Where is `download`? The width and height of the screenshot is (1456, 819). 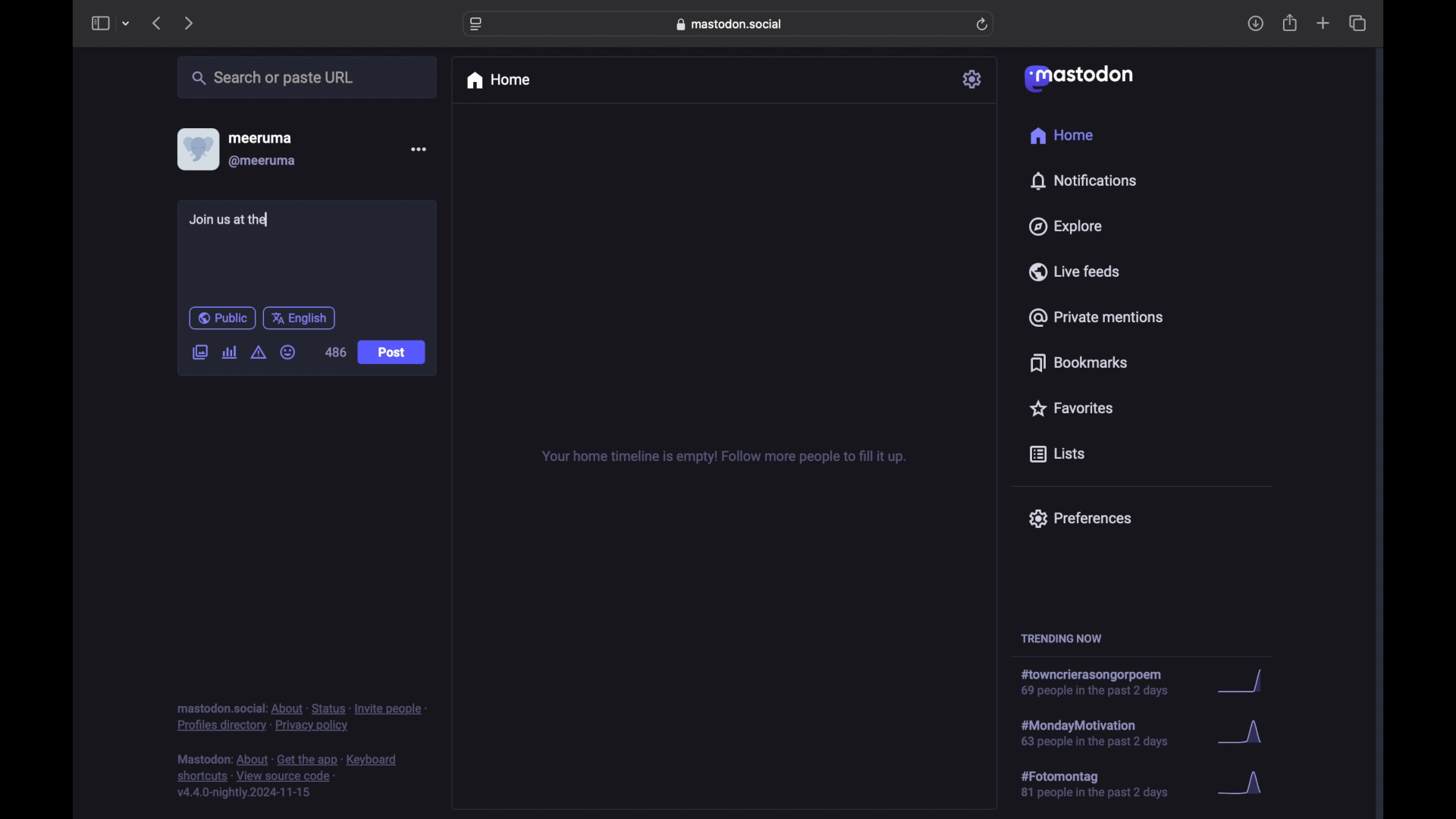 download is located at coordinates (1256, 24).